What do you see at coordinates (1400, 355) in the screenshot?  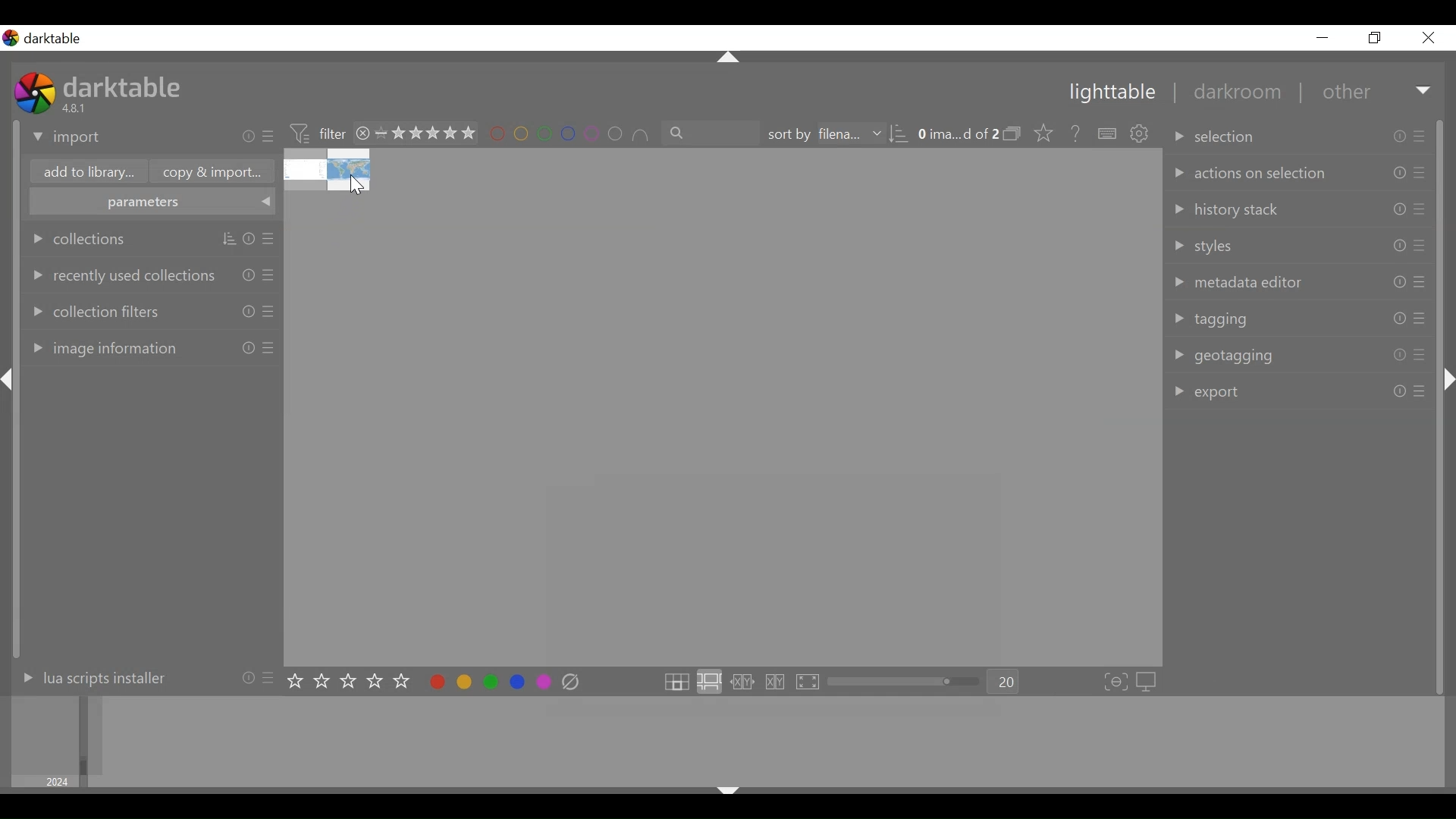 I see `` at bounding box center [1400, 355].